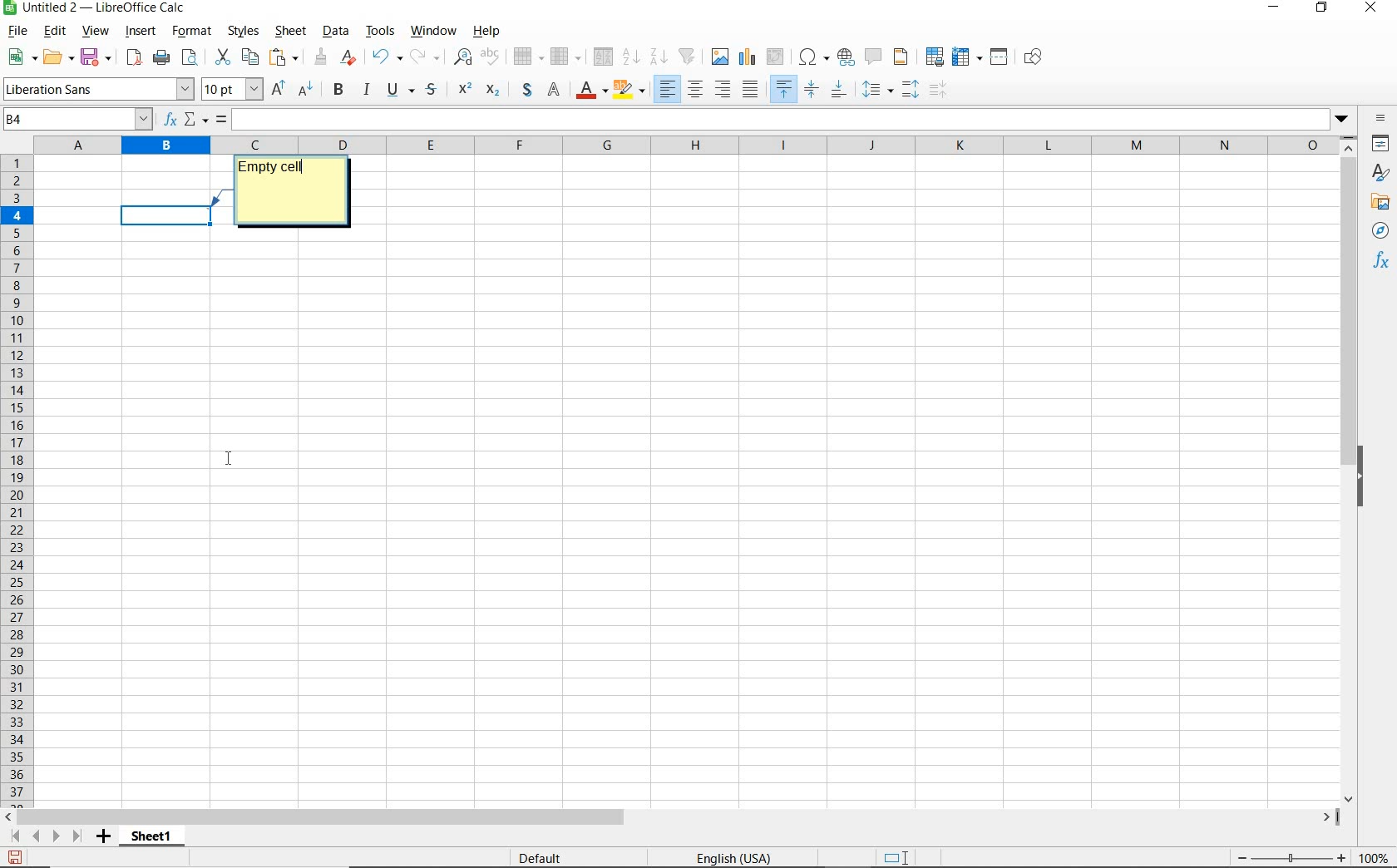 The width and height of the screenshot is (1397, 868). Describe the element at coordinates (224, 56) in the screenshot. I see `cut` at that location.